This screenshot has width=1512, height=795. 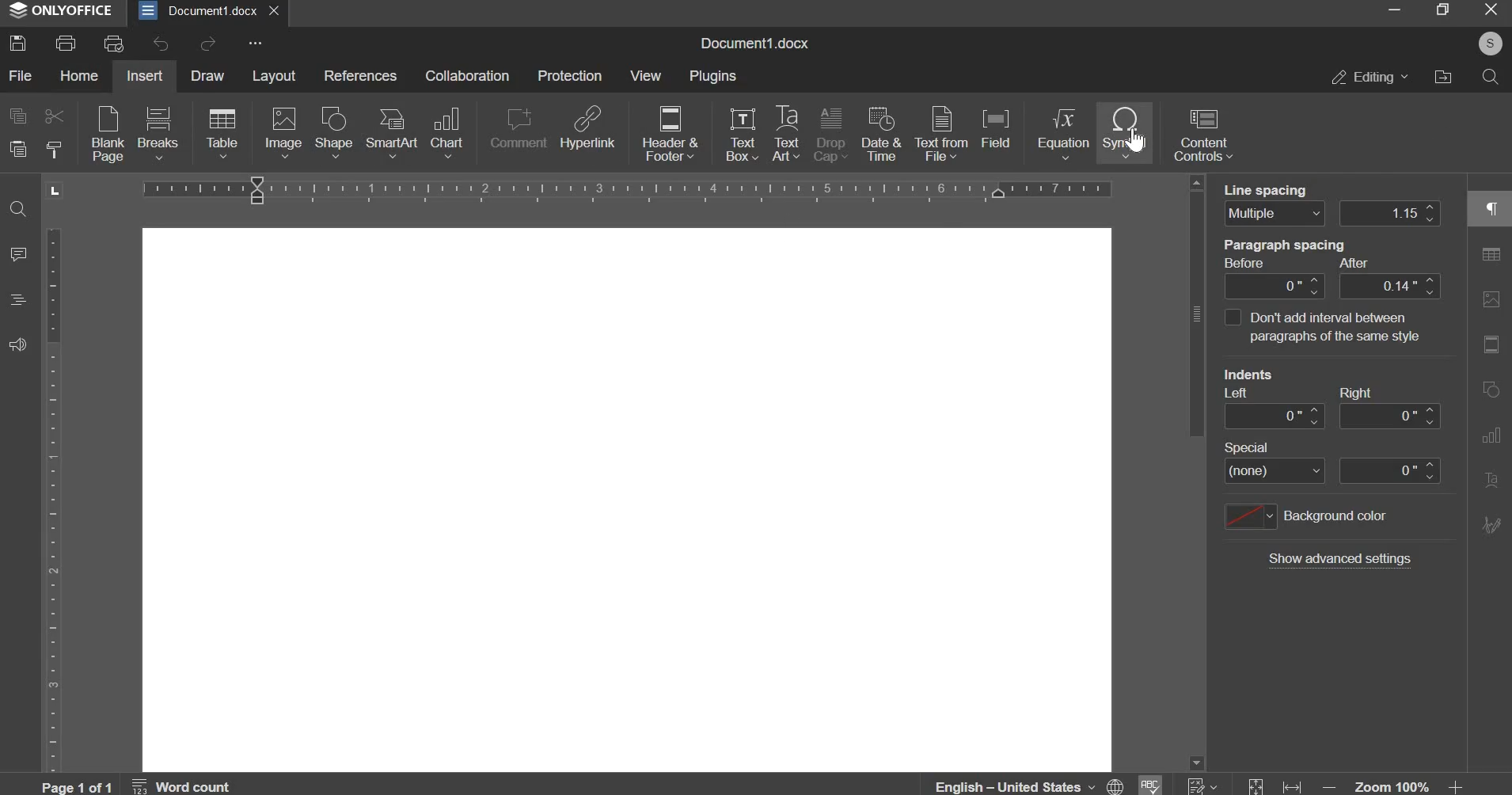 What do you see at coordinates (1305, 377) in the screenshot?
I see `indents left right` at bounding box center [1305, 377].